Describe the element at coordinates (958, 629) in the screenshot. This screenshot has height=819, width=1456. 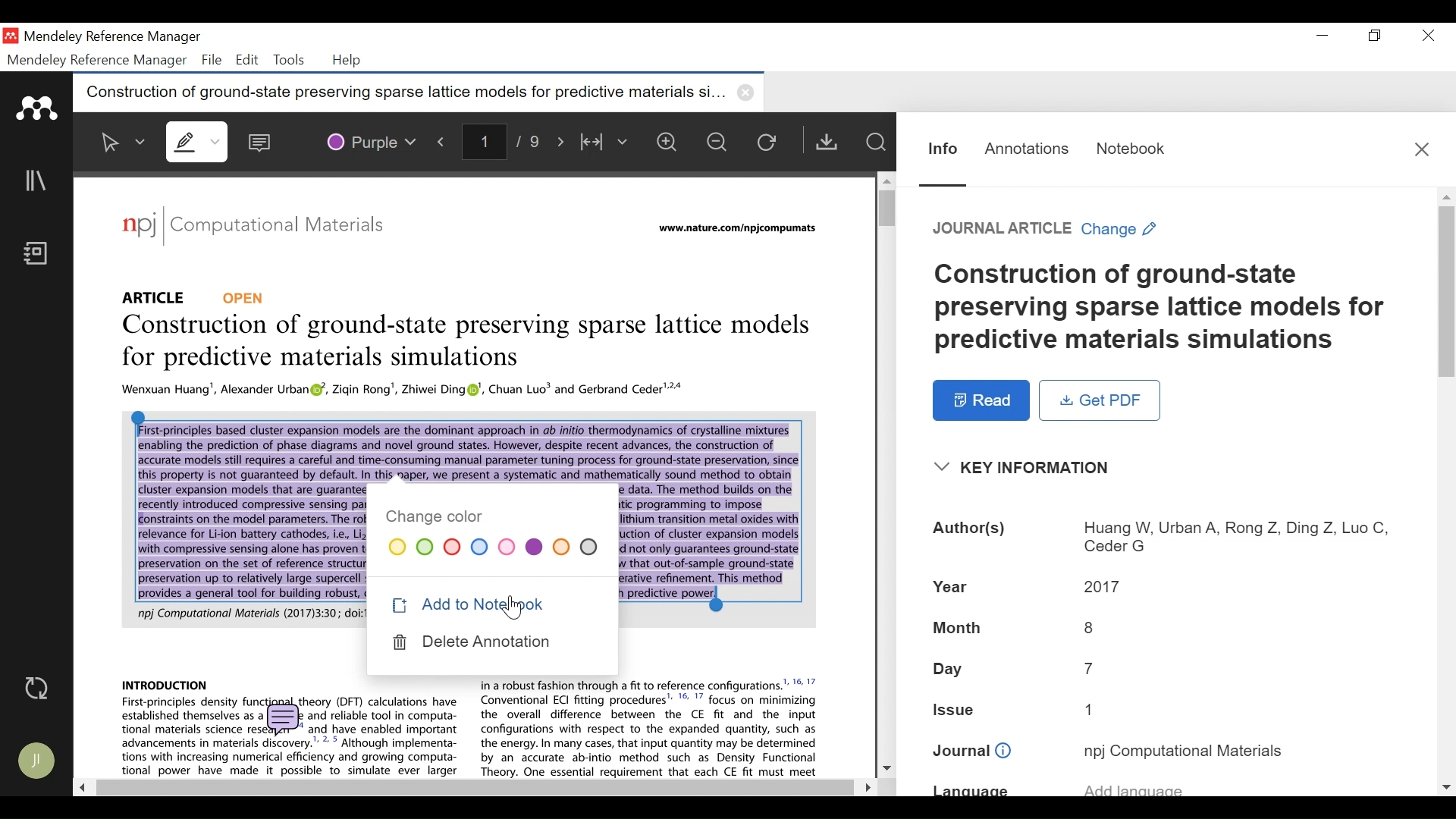
I see `Month` at that location.